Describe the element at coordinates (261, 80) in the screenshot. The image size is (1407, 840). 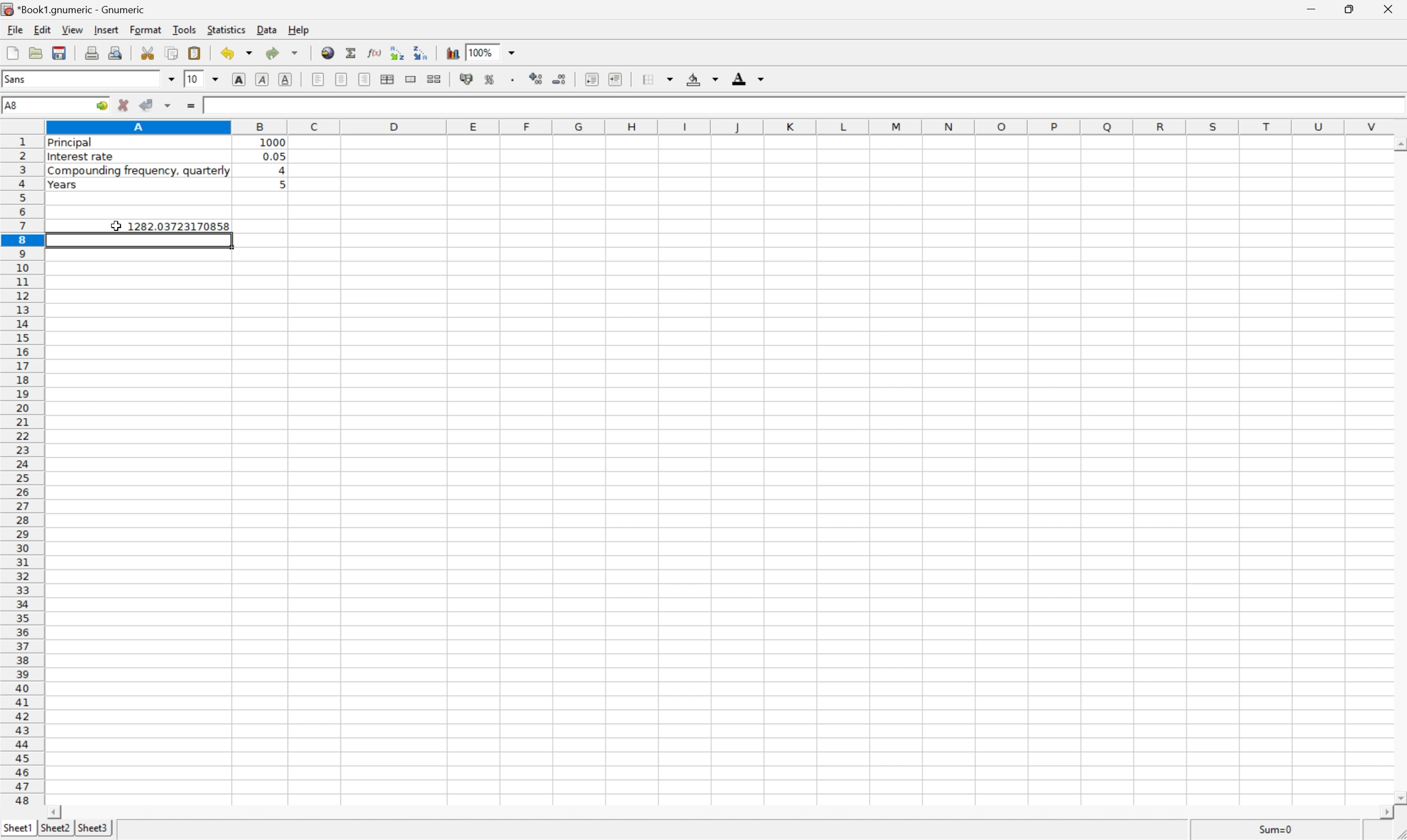
I see `italic` at that location.